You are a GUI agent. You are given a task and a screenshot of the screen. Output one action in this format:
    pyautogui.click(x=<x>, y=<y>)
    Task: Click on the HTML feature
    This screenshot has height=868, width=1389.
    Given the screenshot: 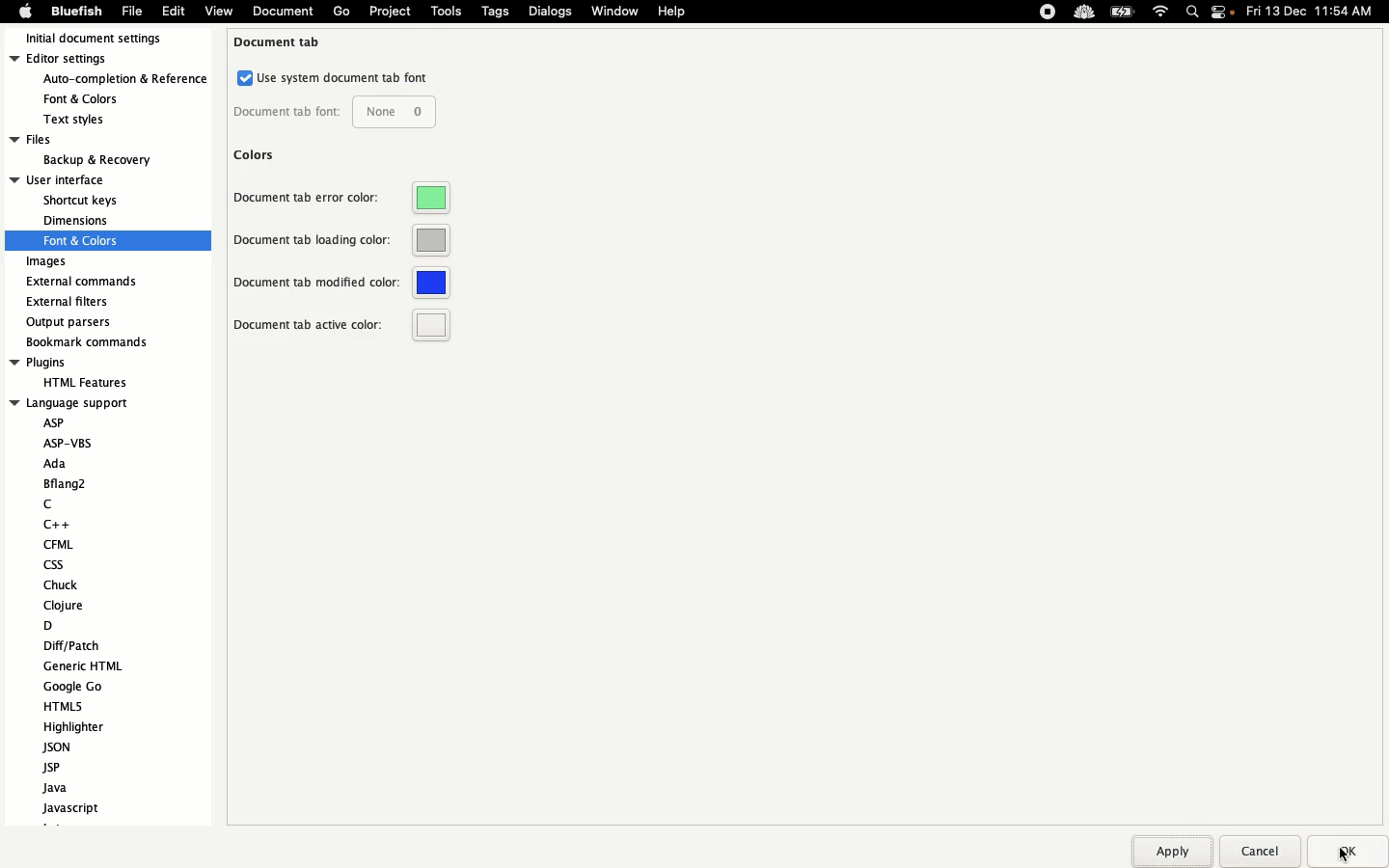 What is the action you would take?
    pyautogui.click(x=81, y=381)
    